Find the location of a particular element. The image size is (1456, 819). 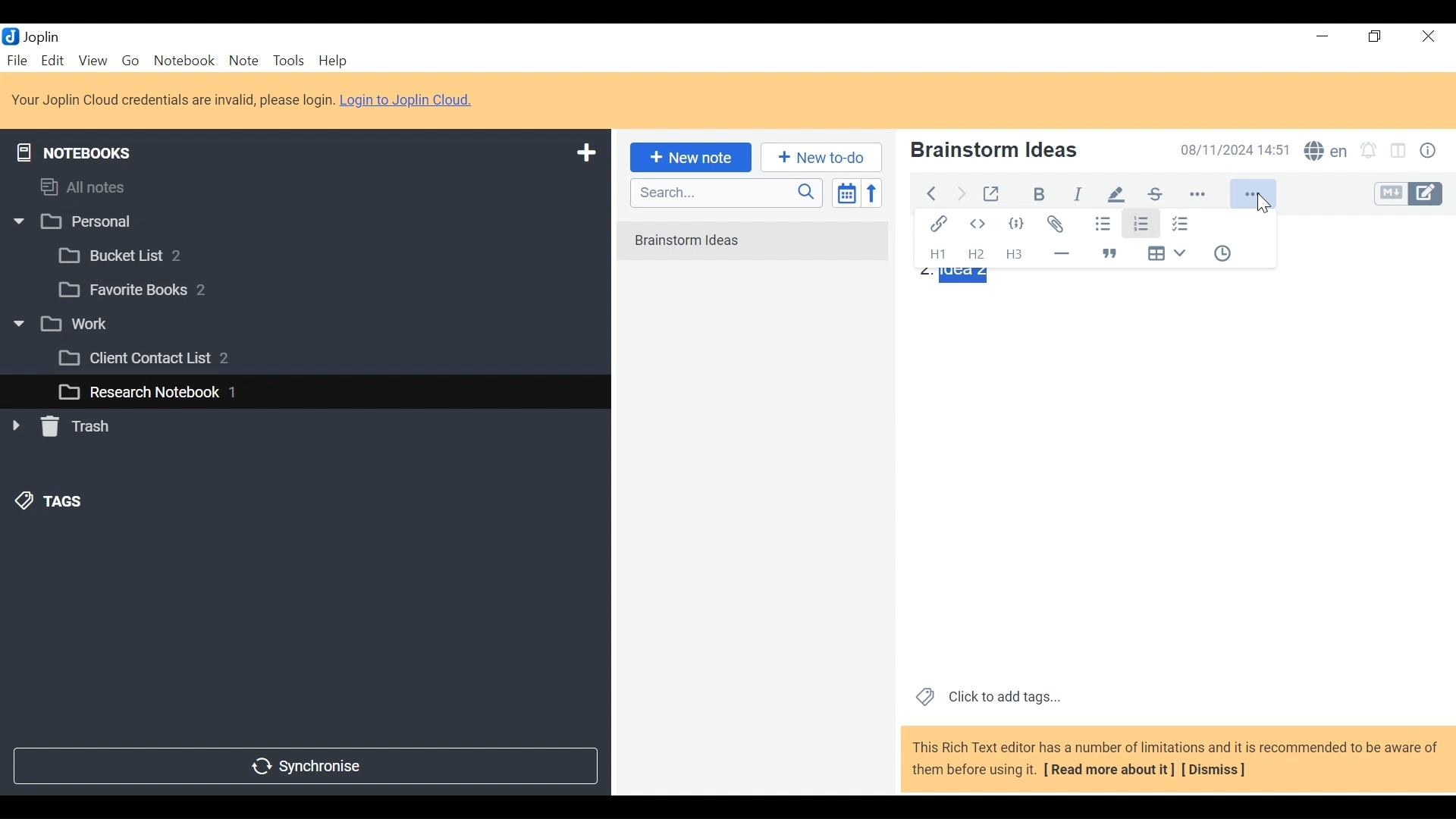

» [ Trash is located at coordinates (80, 426).